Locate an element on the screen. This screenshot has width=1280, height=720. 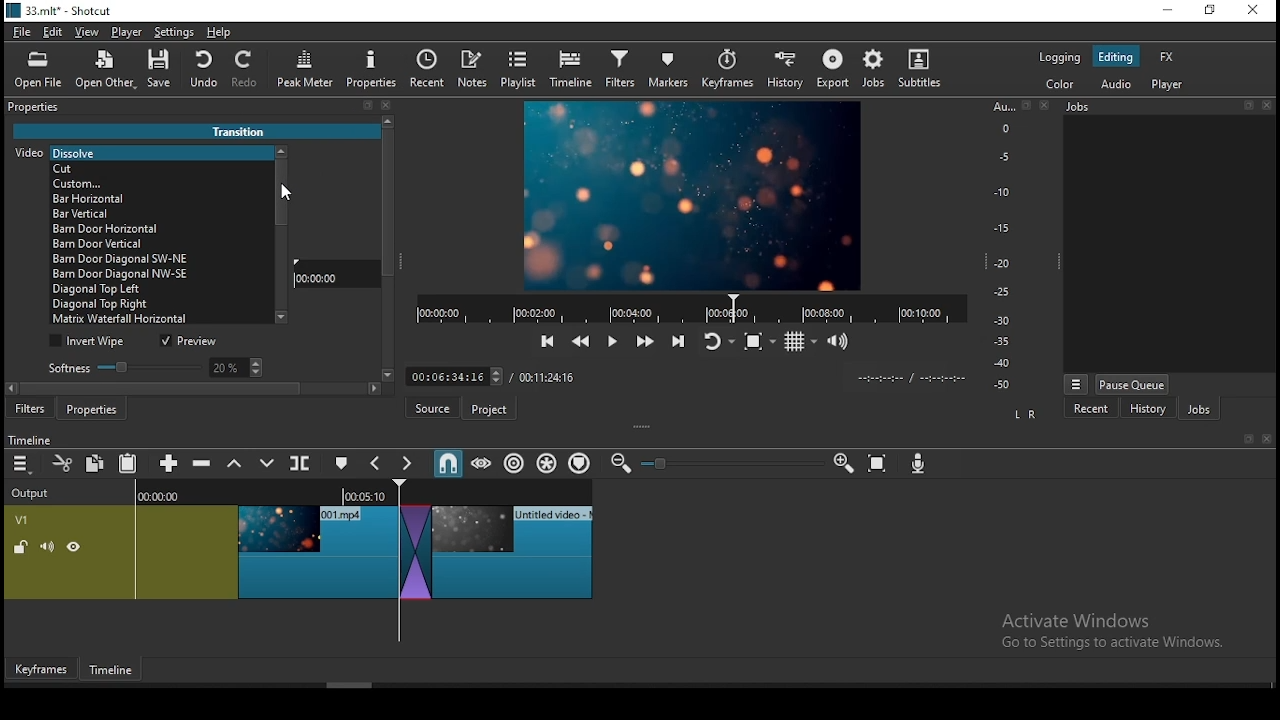
properties is located at coordinates (40, 106).